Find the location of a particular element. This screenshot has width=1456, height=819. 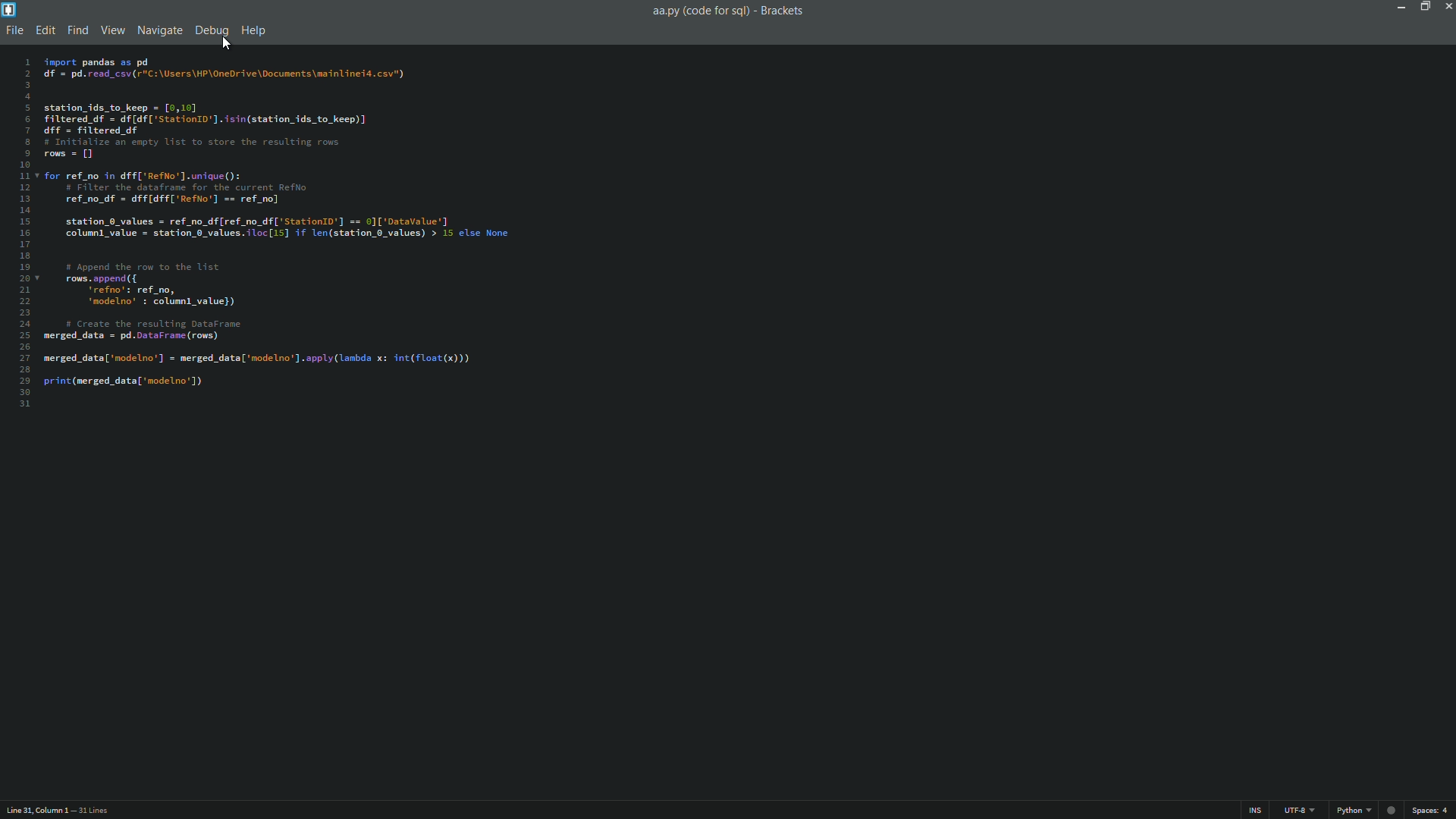

help menu is located at coordinates (256, 31).